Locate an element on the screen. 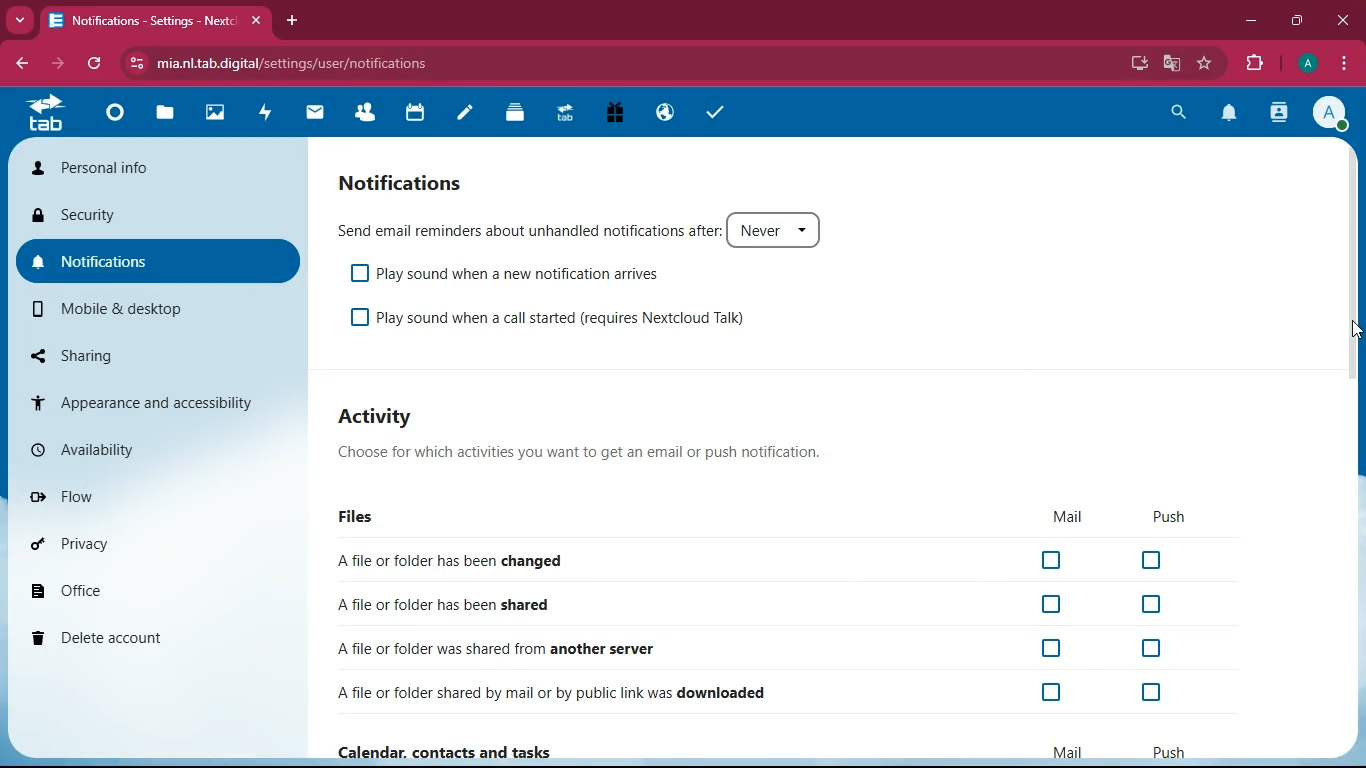  off is located at coordinates (1156, 562).